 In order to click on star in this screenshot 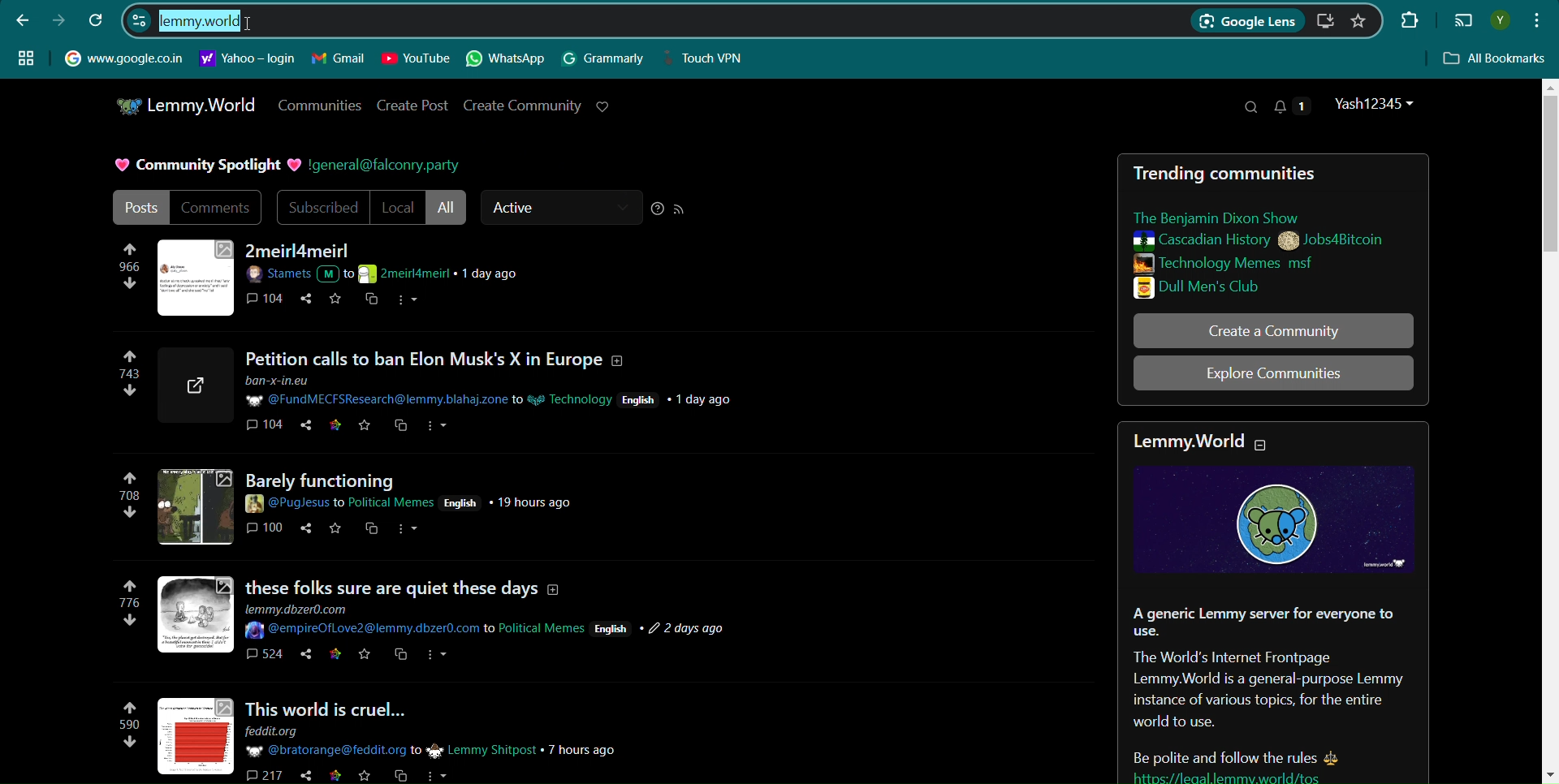, I will do `click(337, 427)`.